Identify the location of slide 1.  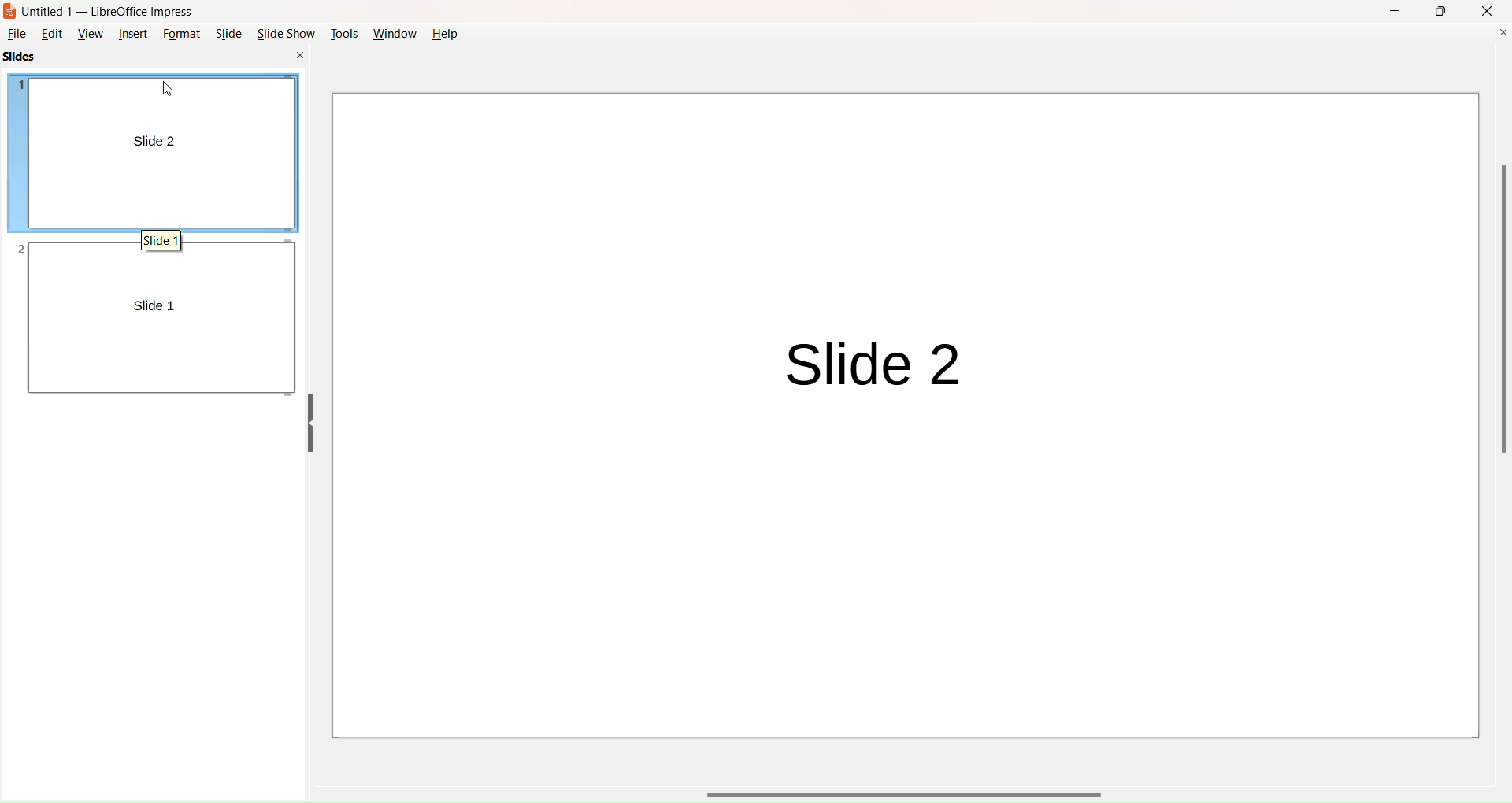
(152, 308).